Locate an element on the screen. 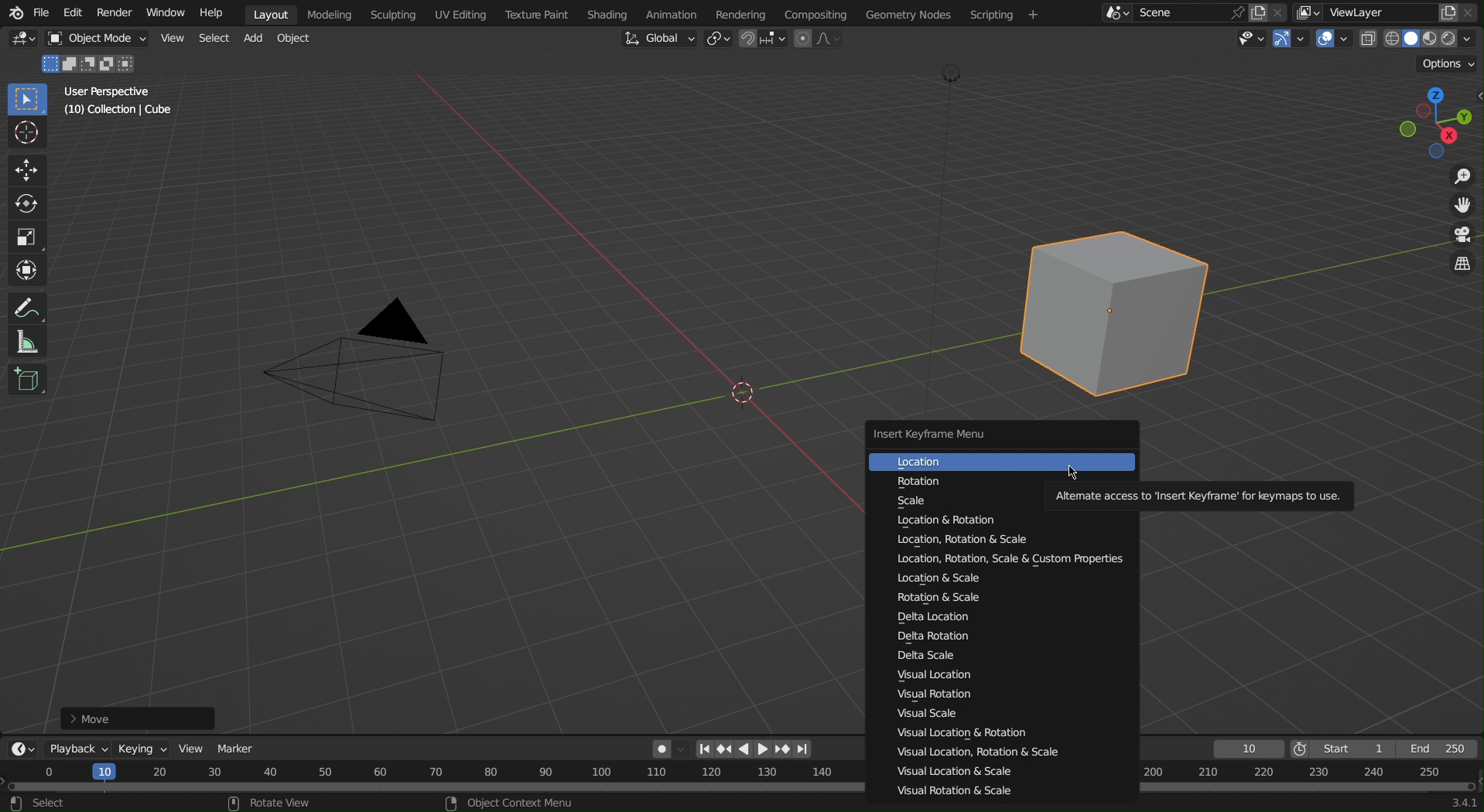 This screenshot has height=812, width=1484. Select Box is located at coordinates (26, 100).